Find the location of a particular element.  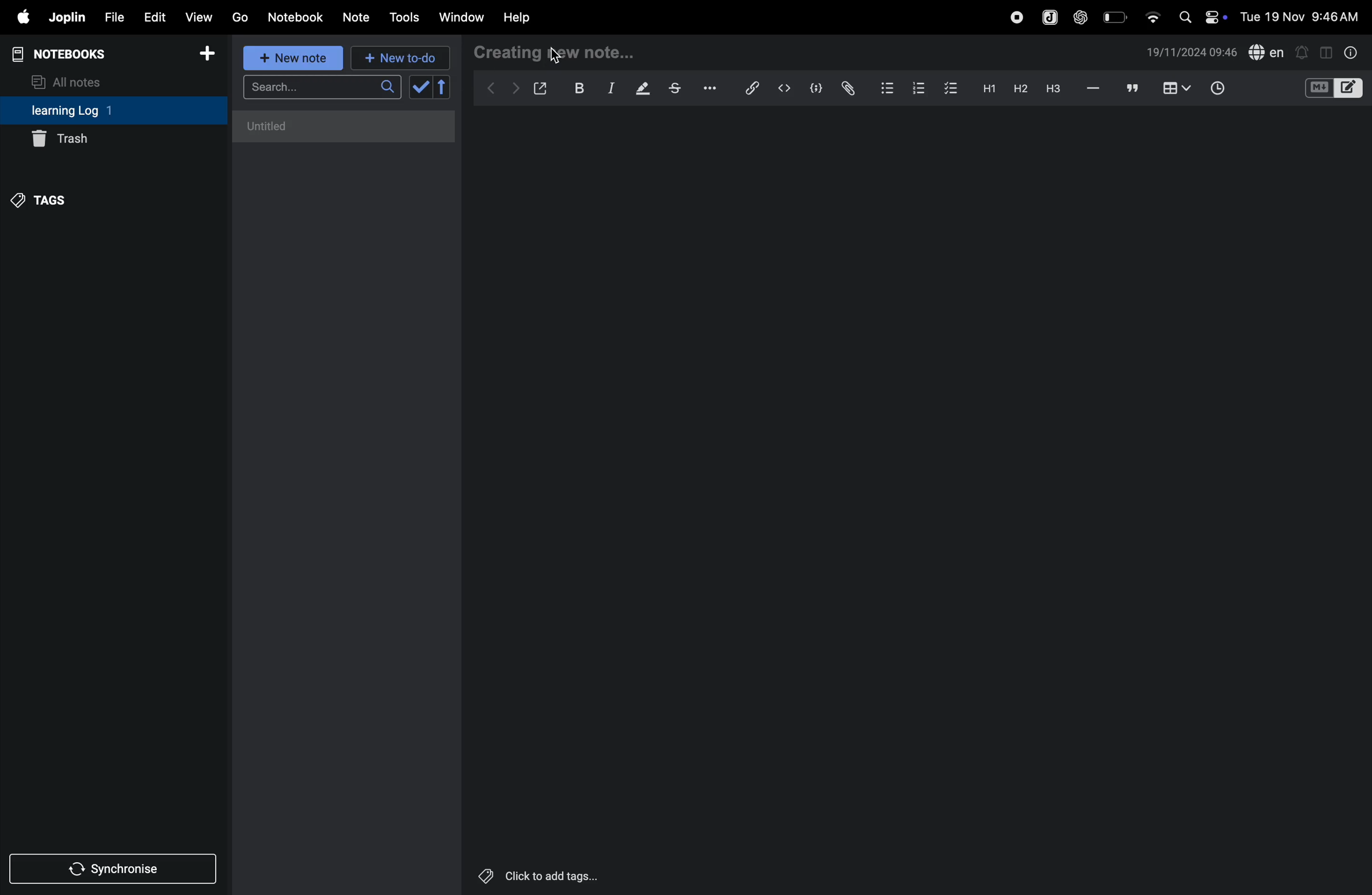

attach file is located at coordinates (847, 88).